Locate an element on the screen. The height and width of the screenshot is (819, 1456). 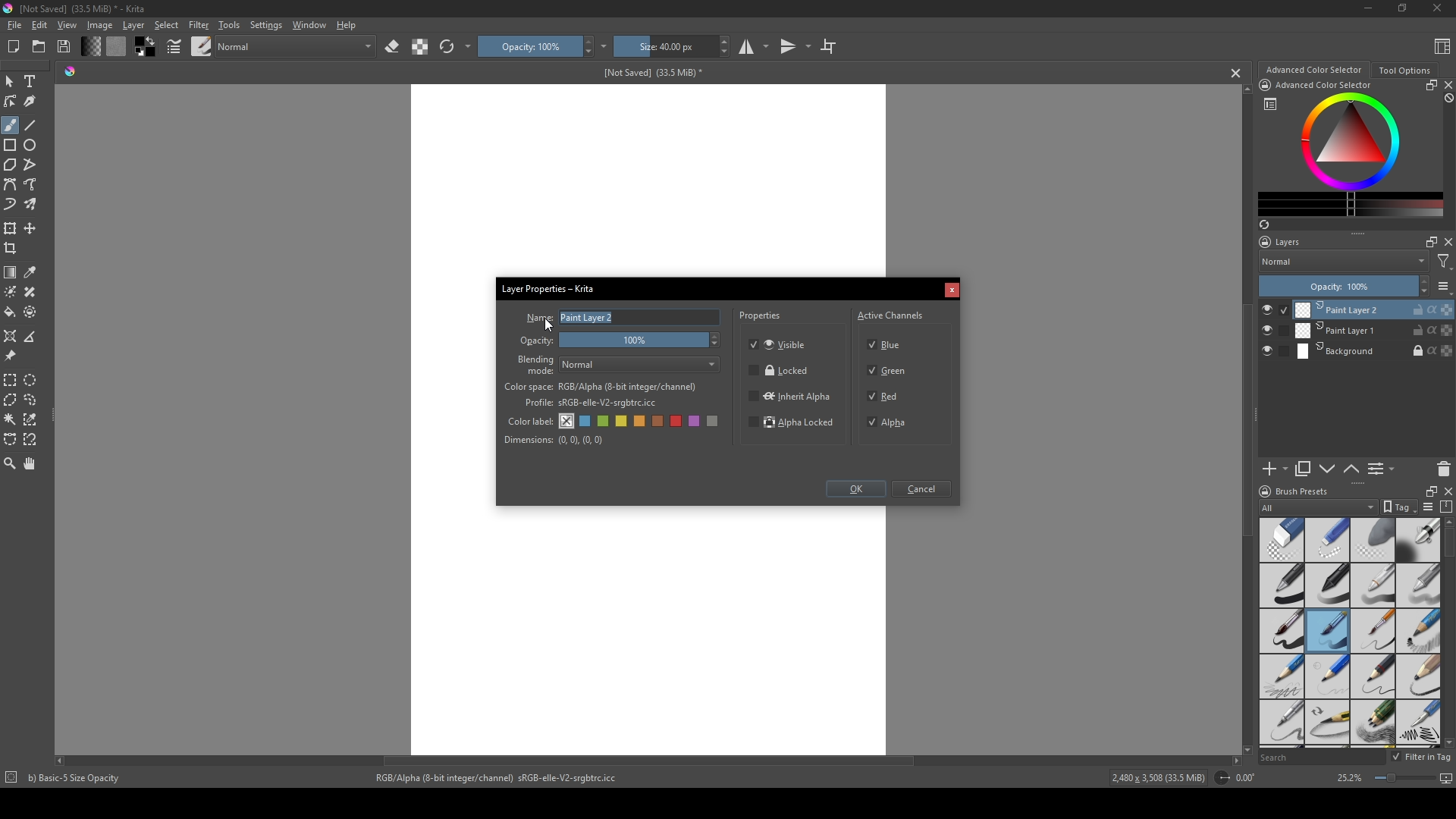
filter is located at coordinates (1444, 262).